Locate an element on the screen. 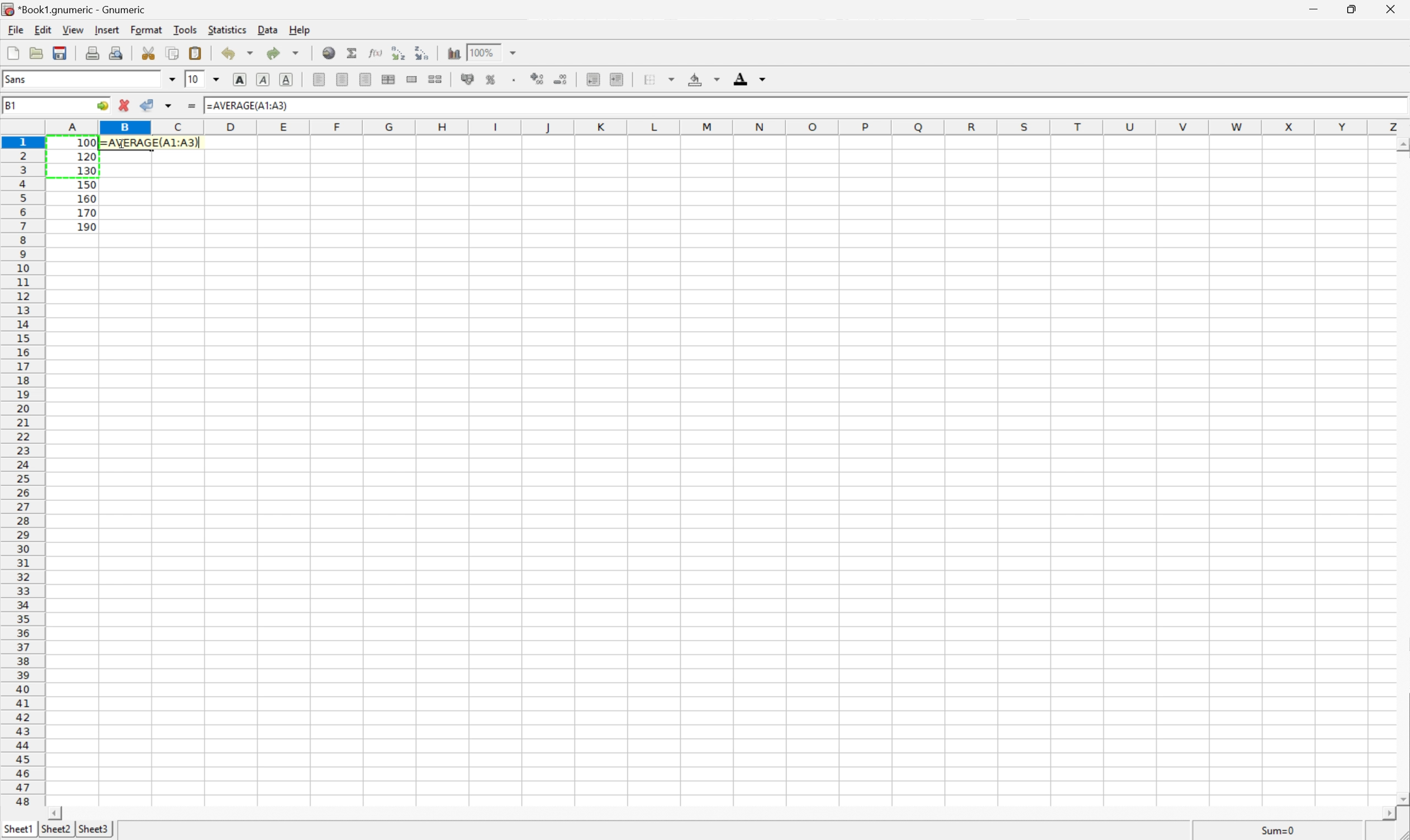 The image size is (1410, 840). Sheet1 is located at coordinates (16, 829).